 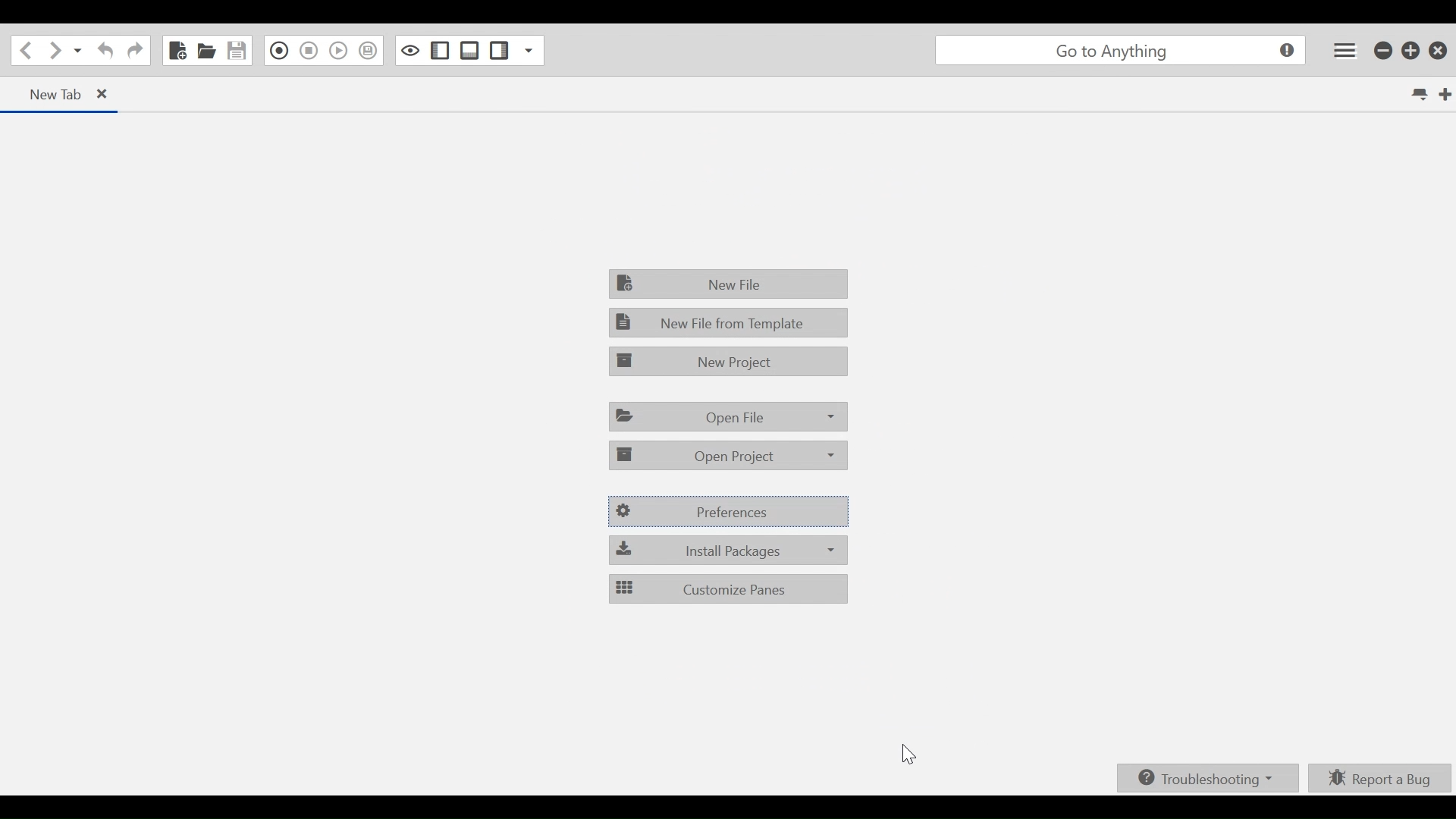 I want to click on Open Project , so click(x=729, y=454).